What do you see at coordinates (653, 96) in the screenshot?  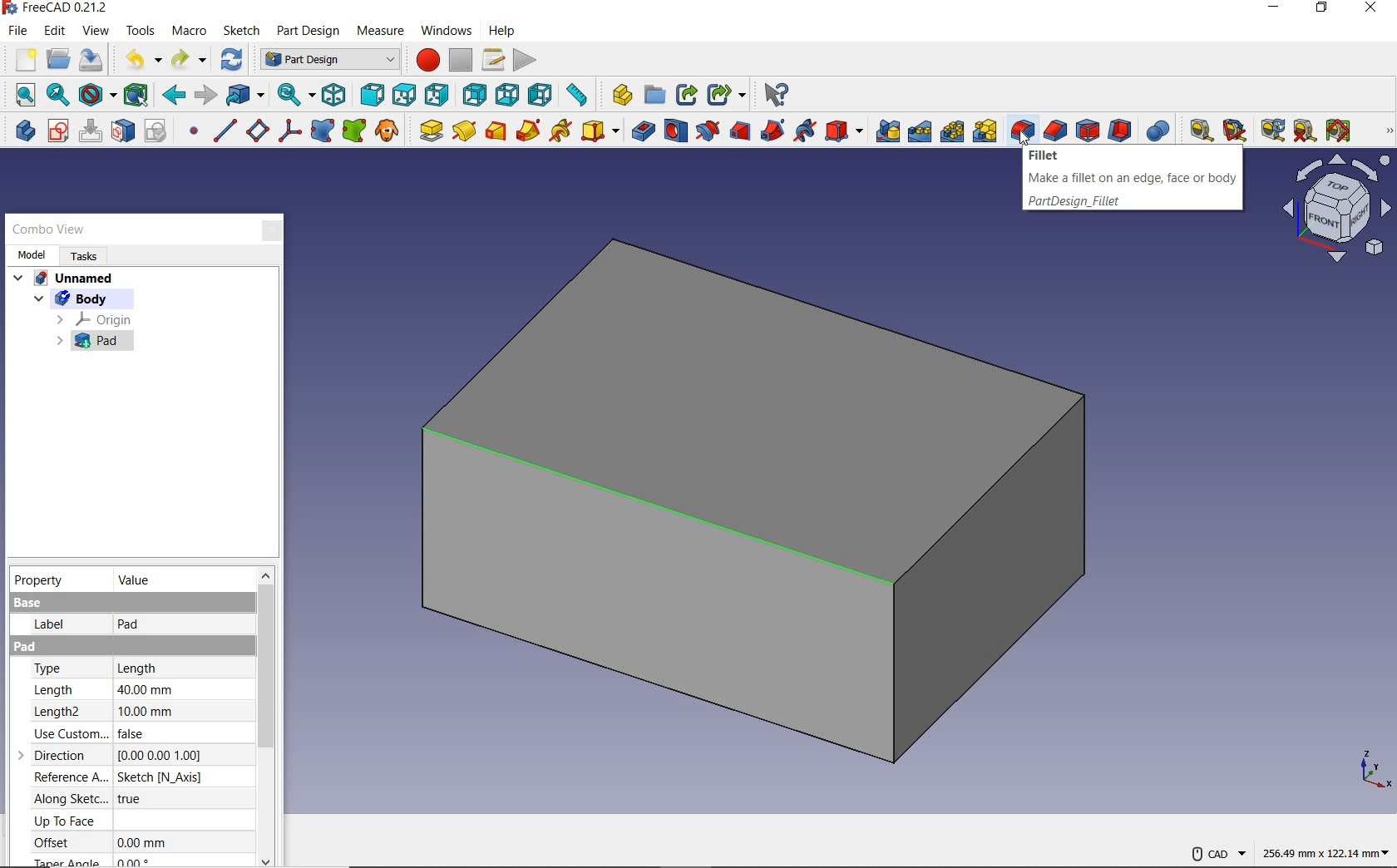 I see `create group` at bounding box center [653, 96].